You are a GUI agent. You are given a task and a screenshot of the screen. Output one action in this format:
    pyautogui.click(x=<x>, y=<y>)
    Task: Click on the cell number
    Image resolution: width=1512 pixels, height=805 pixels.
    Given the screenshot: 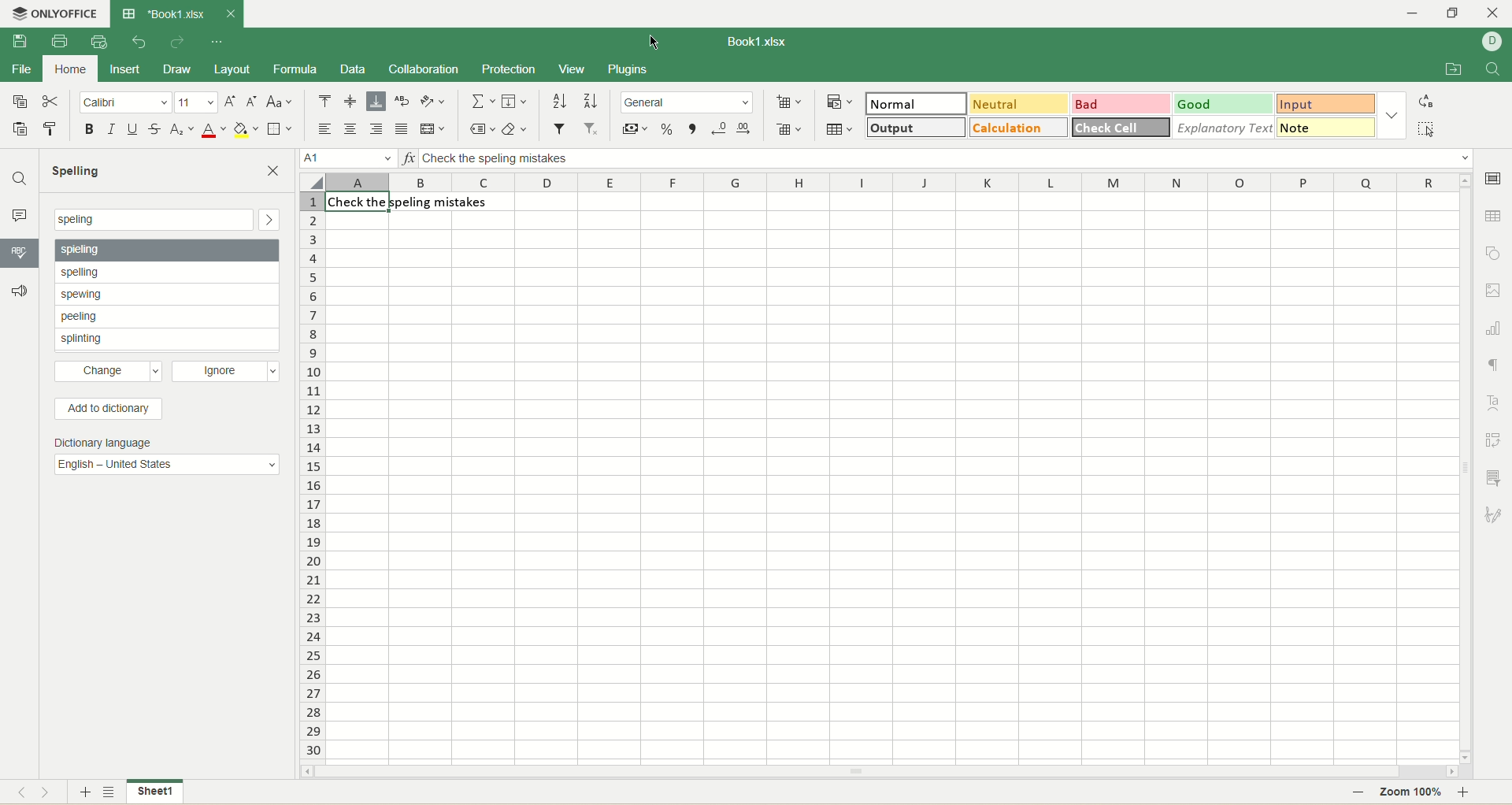 What is the action you would take?
    pyautogui.click(x=311, y=478)
    